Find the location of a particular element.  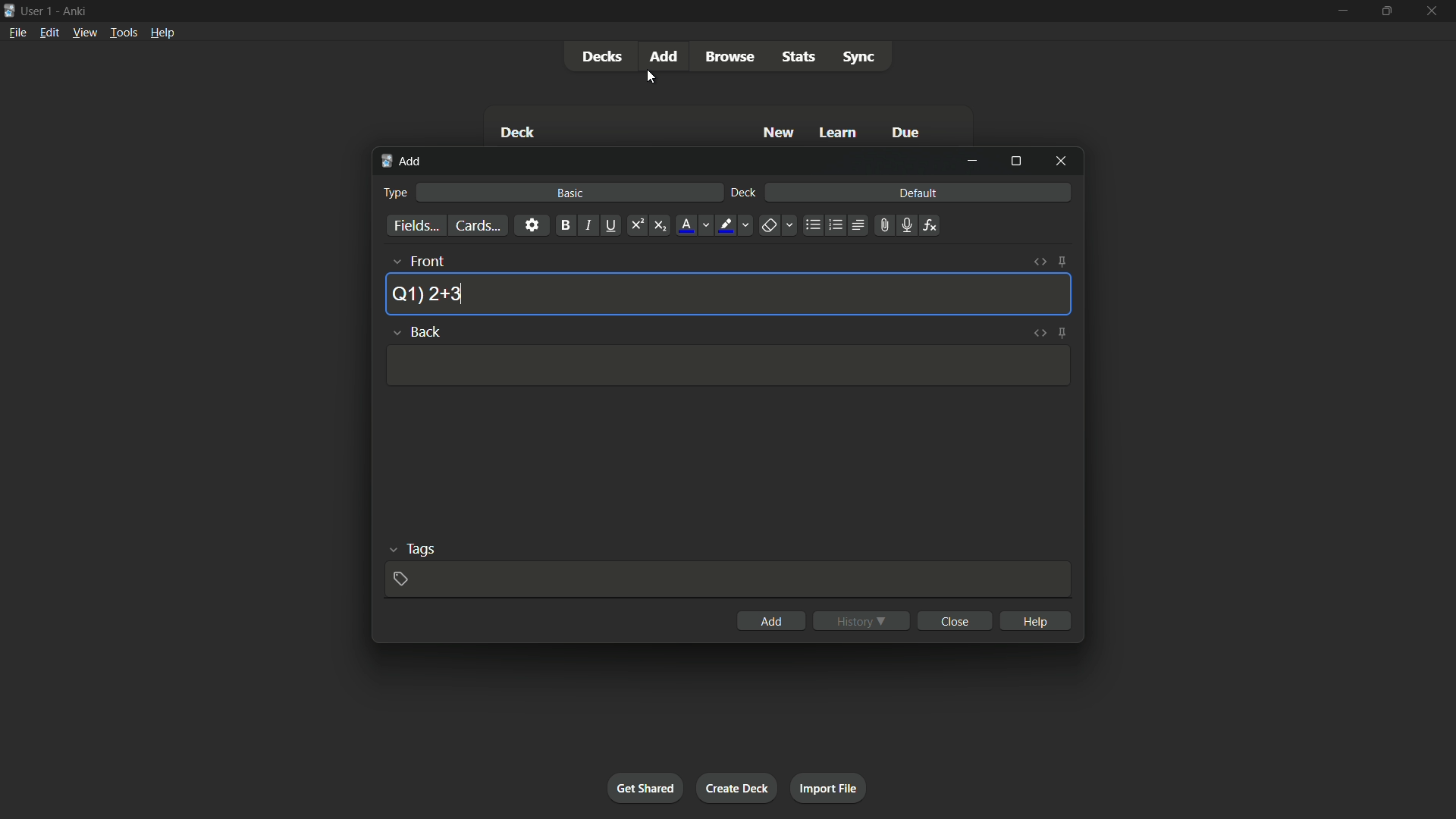

close is located at coordinates (957, 620).